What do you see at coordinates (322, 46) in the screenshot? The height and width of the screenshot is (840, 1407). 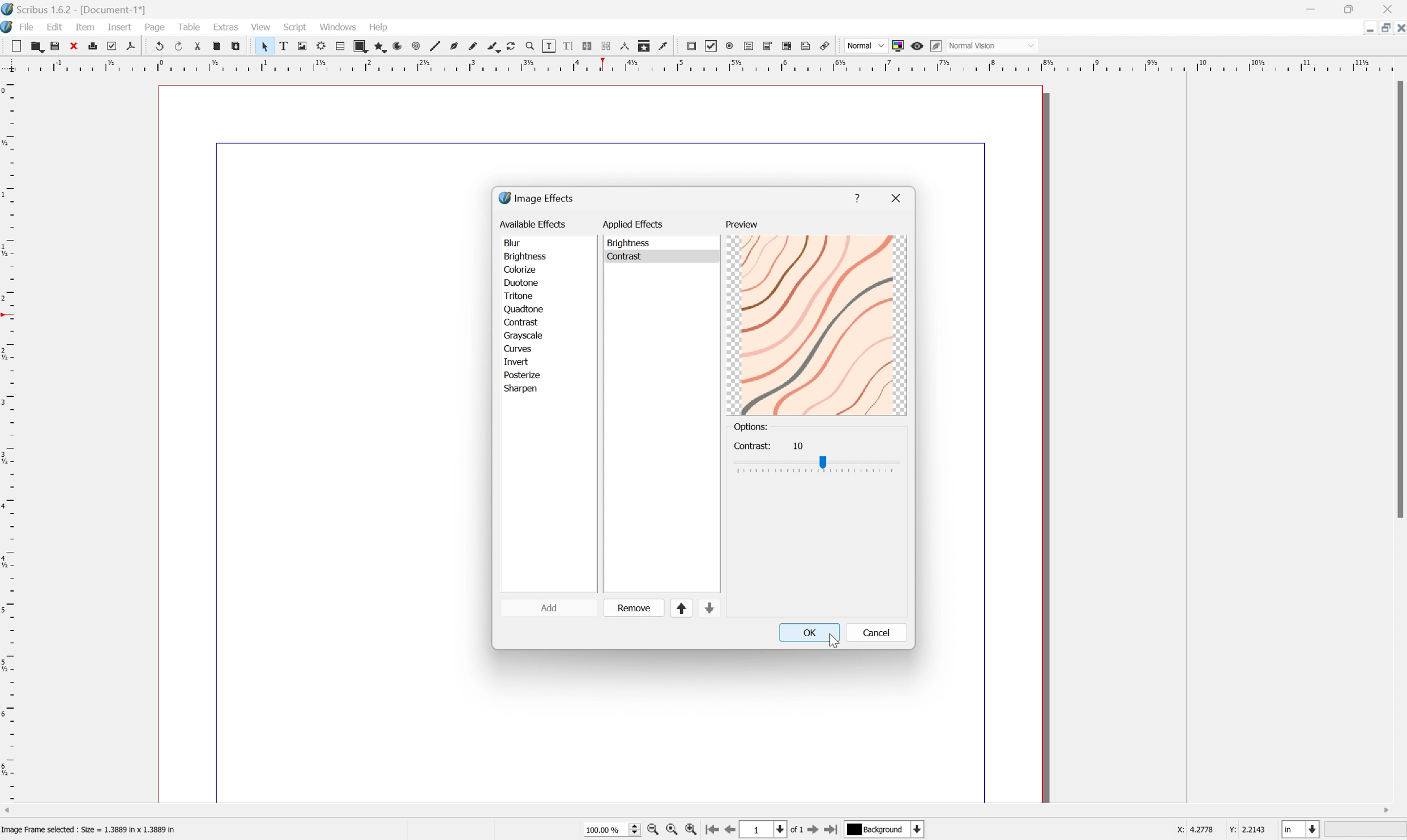 I see `Render frame` at bounding box center [322, 46].